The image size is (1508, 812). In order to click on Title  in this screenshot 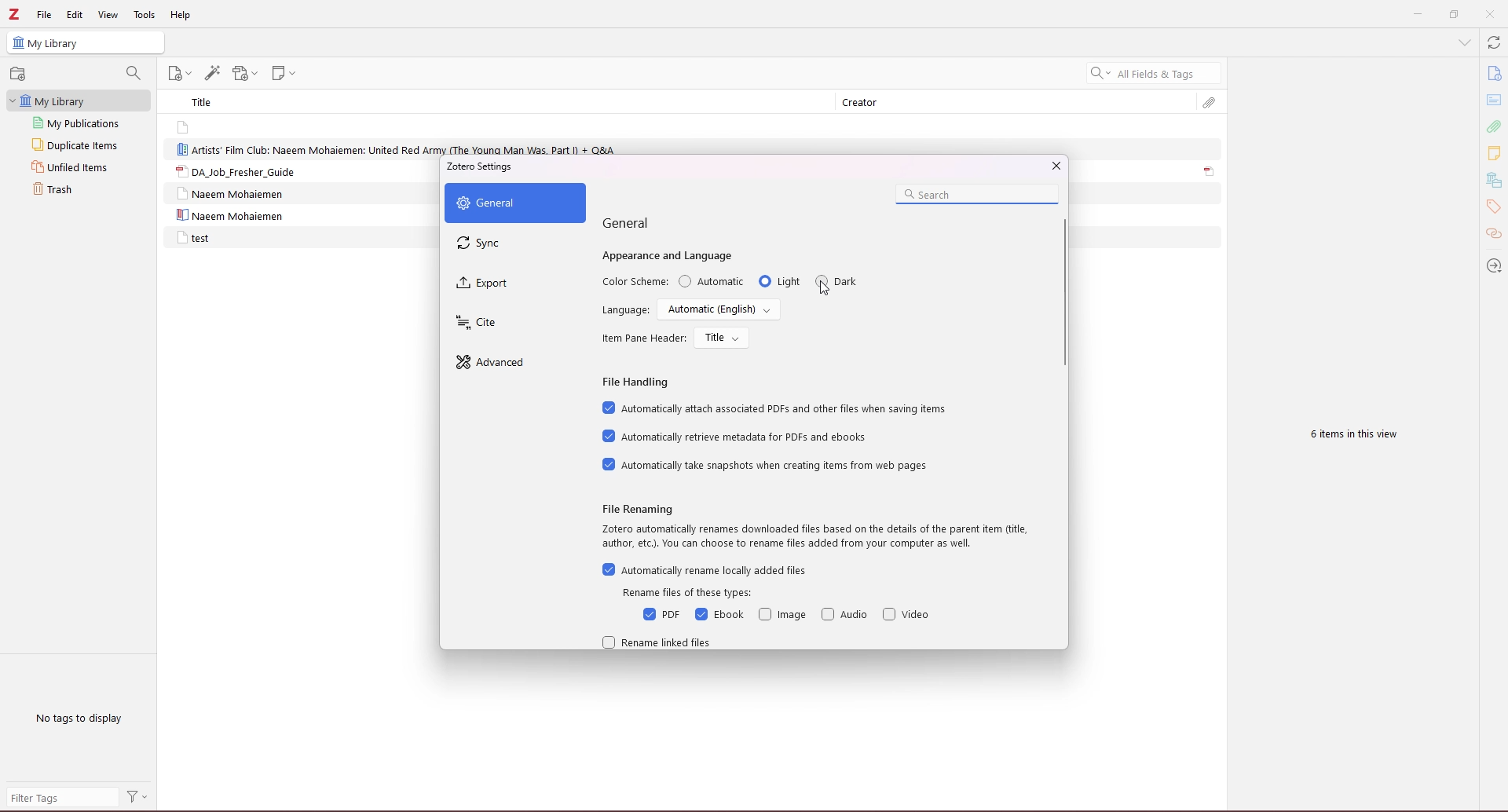, I will do `click(723, 338)`.